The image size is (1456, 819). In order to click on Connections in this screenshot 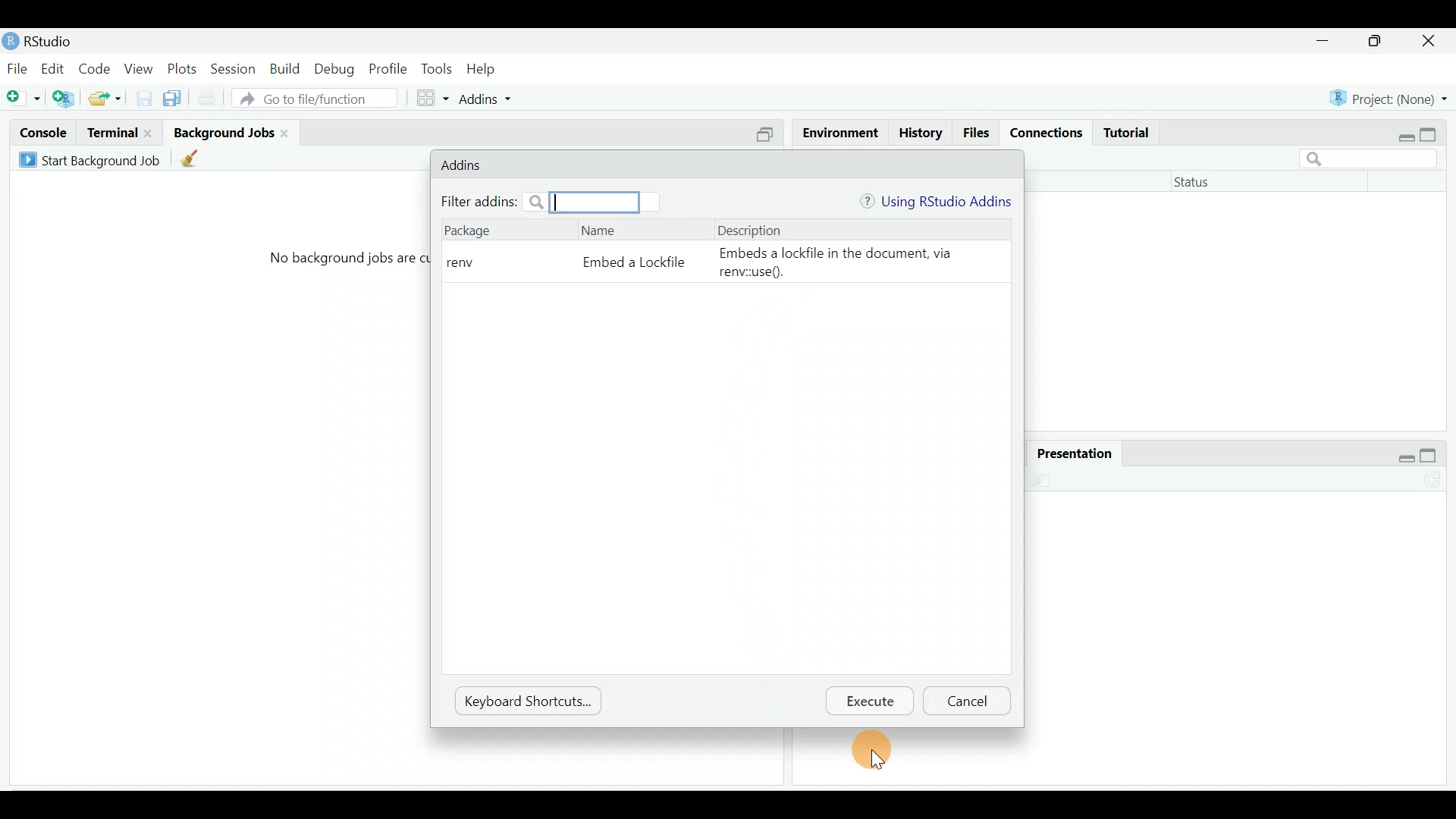, I will do `click(1047, 133)`.